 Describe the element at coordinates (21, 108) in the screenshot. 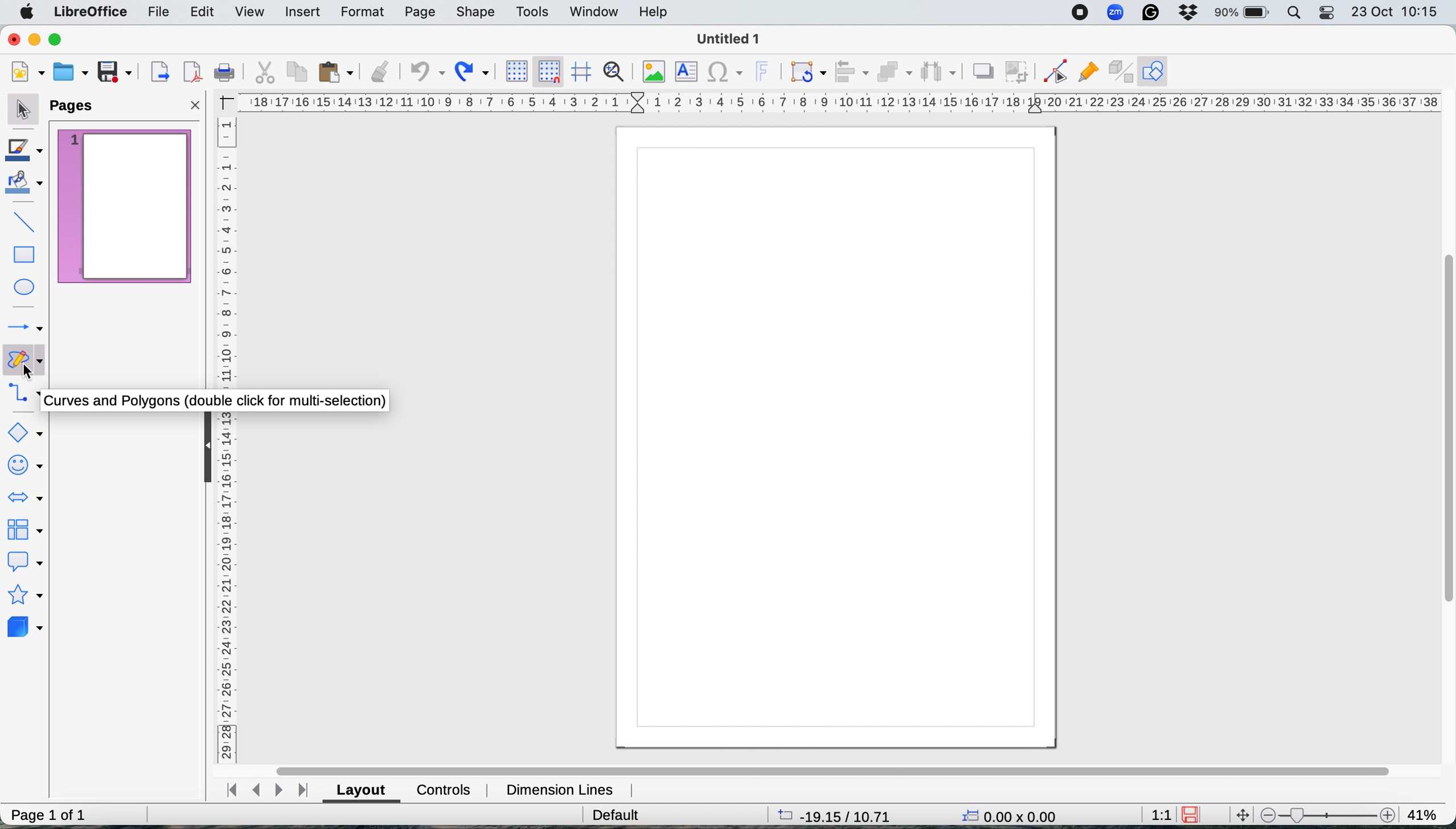

I see `selection tool` at that location.